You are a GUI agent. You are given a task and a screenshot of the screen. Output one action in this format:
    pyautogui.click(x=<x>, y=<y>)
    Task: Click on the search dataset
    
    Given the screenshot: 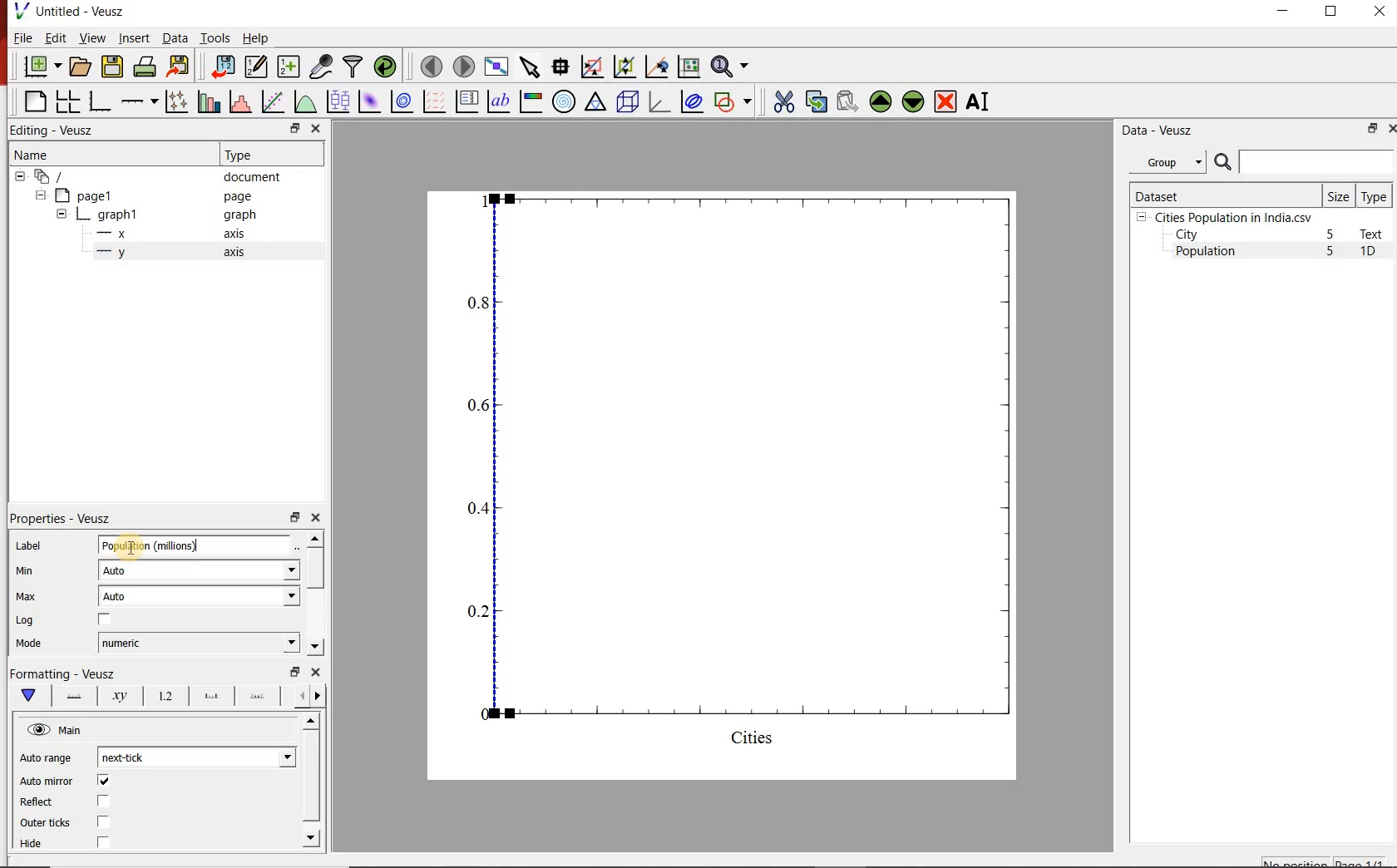 What is the action you would take?
    pyautogui.click(x=1305, y=162)
    